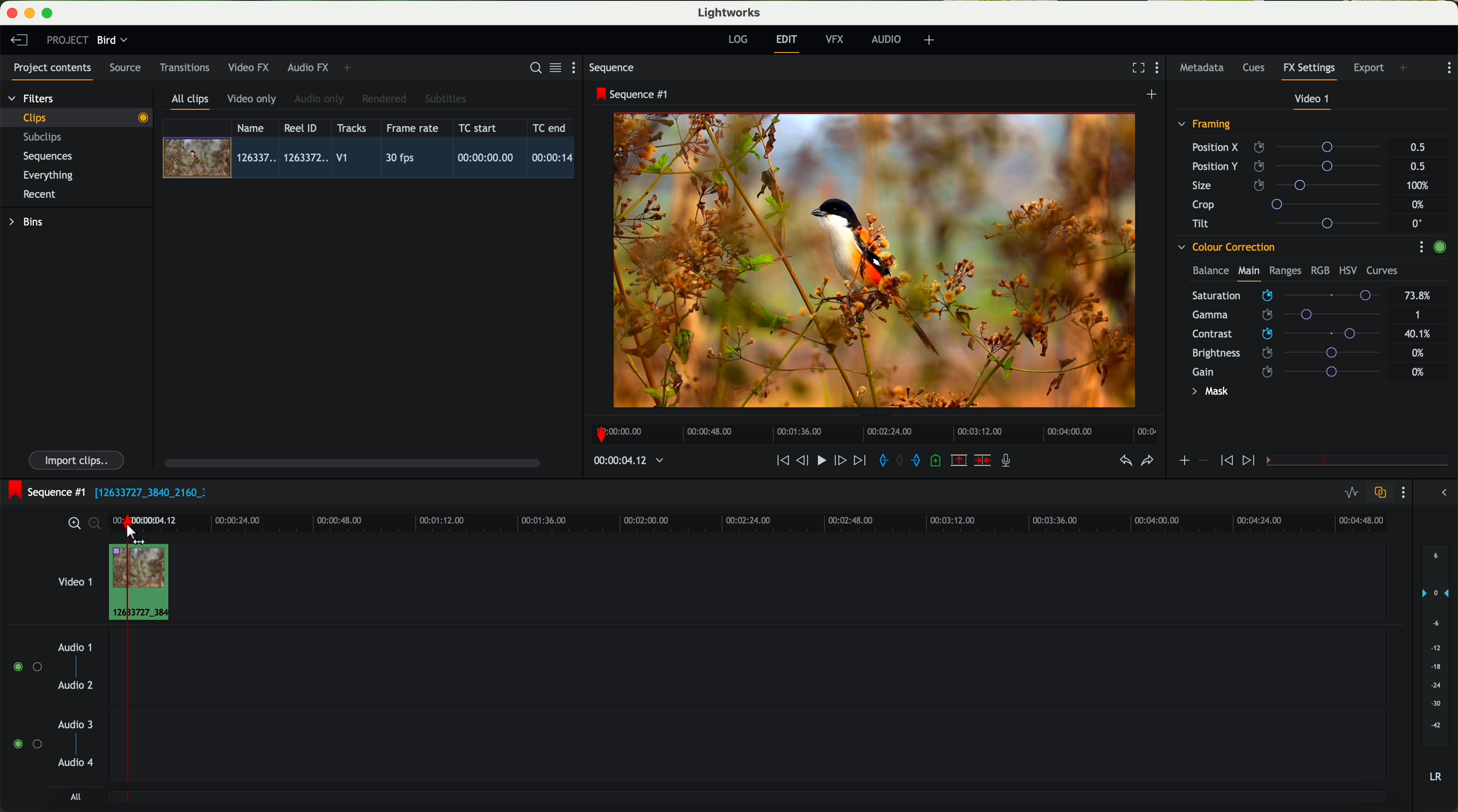 The image size is (1458, 812). I want to click on edit, so click(788, 42).